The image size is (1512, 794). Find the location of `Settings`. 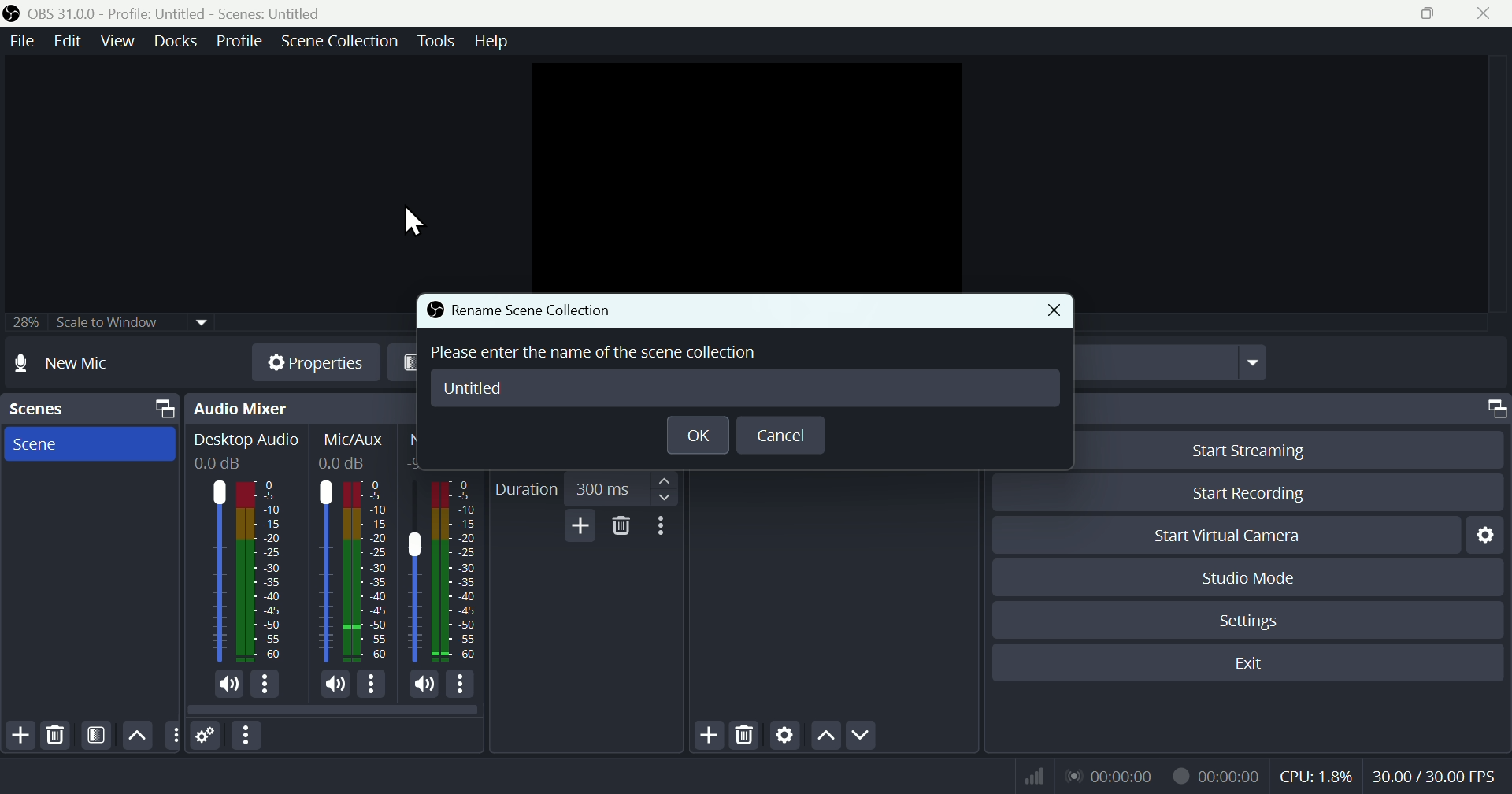

Settings is located at coordinates (1491, 540).